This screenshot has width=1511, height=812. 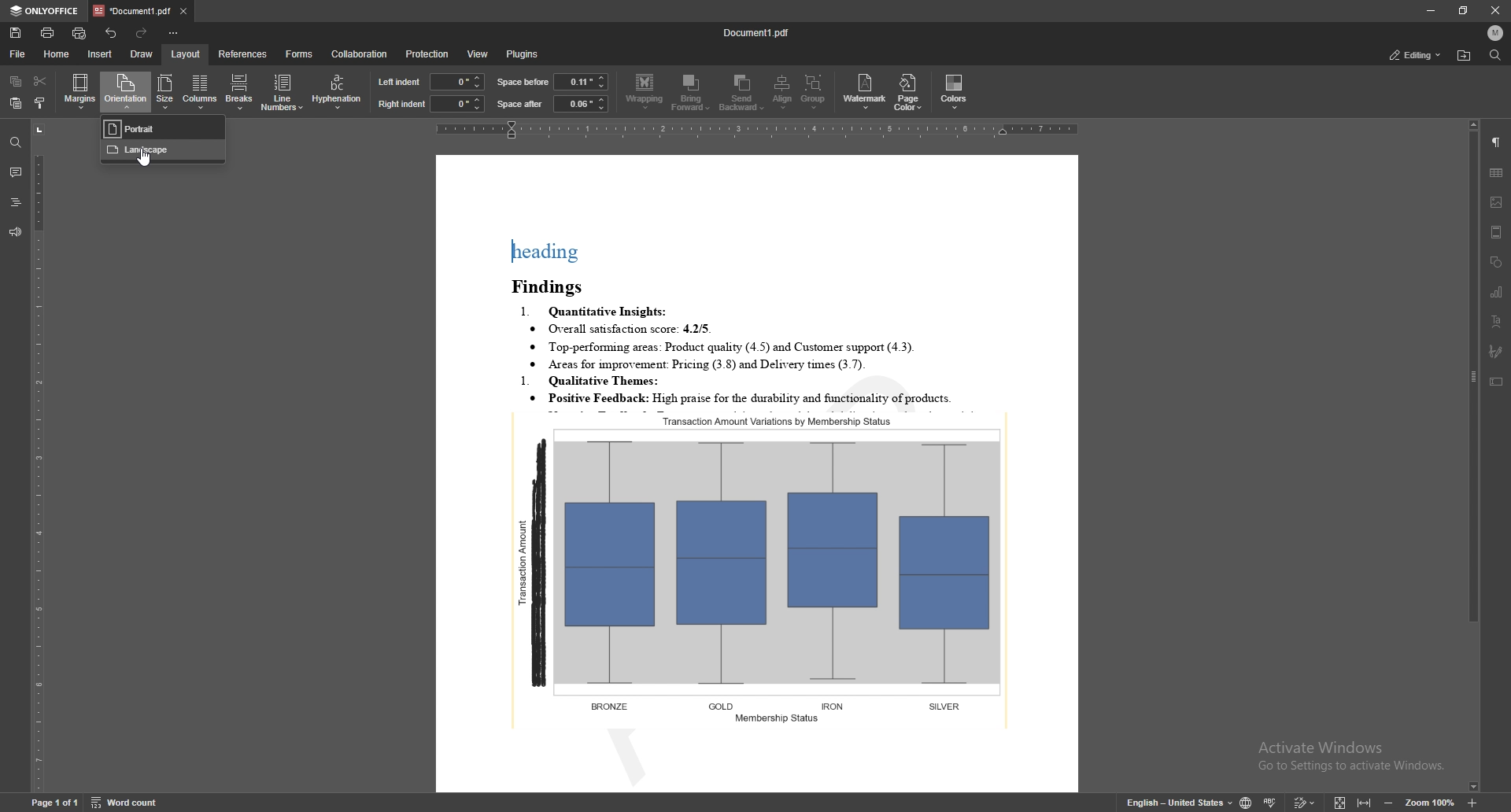 I want to click on close, so click(x=1492, y=10).